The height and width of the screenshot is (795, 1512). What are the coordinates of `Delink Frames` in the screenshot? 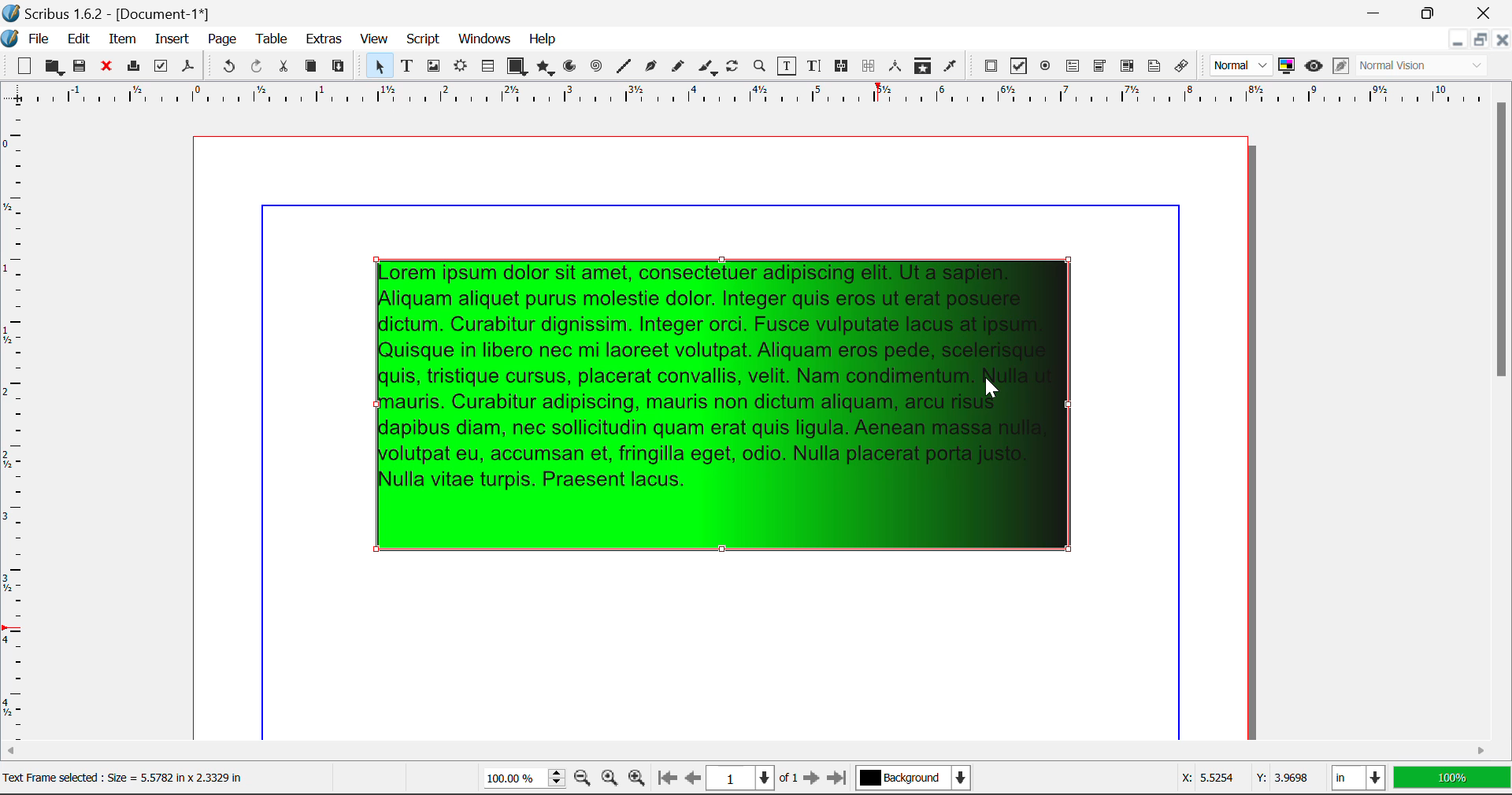 It's located at (869, 66).